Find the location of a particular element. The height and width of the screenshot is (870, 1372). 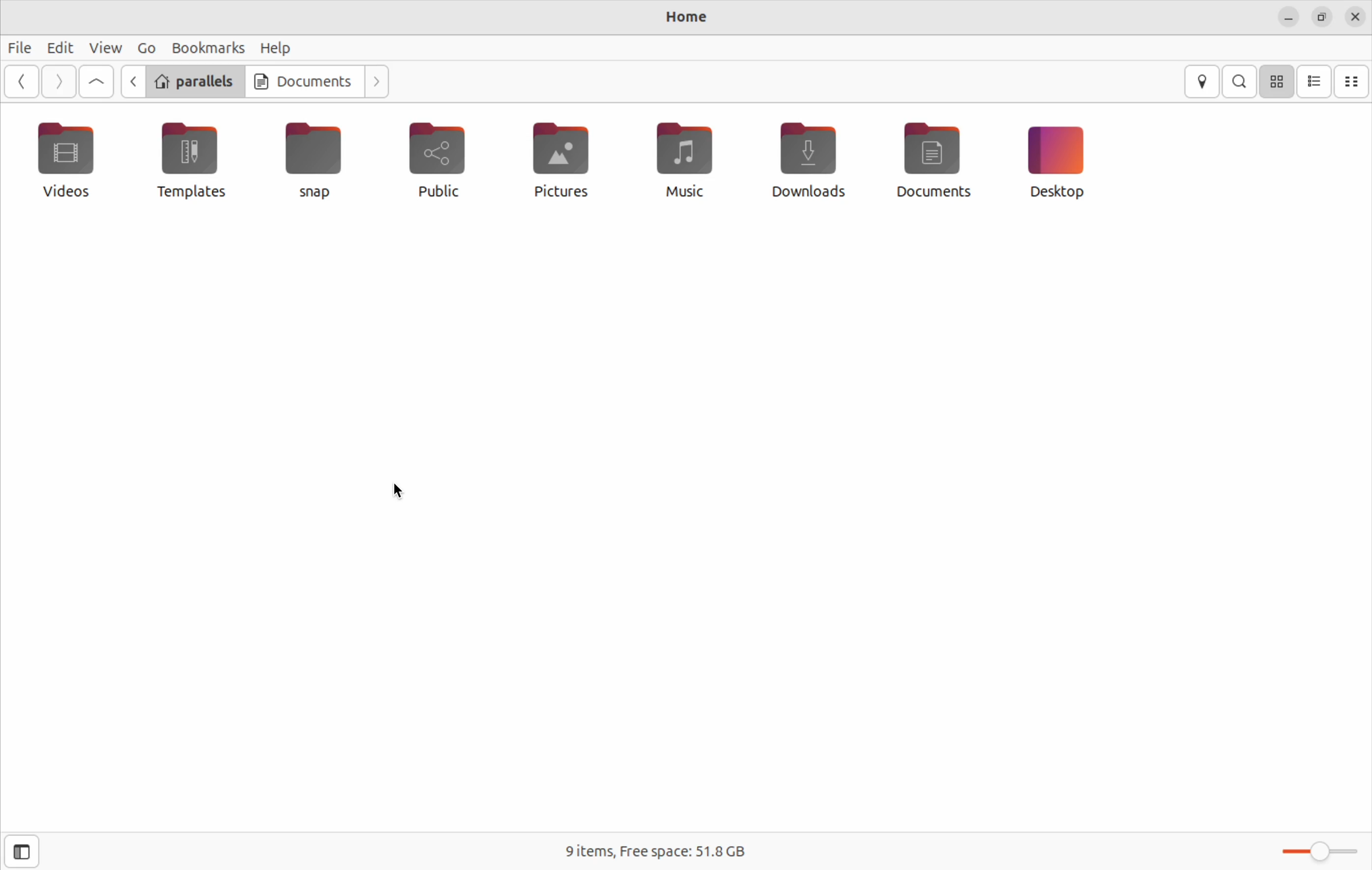

compact view is located at coordinates (1353, 81).